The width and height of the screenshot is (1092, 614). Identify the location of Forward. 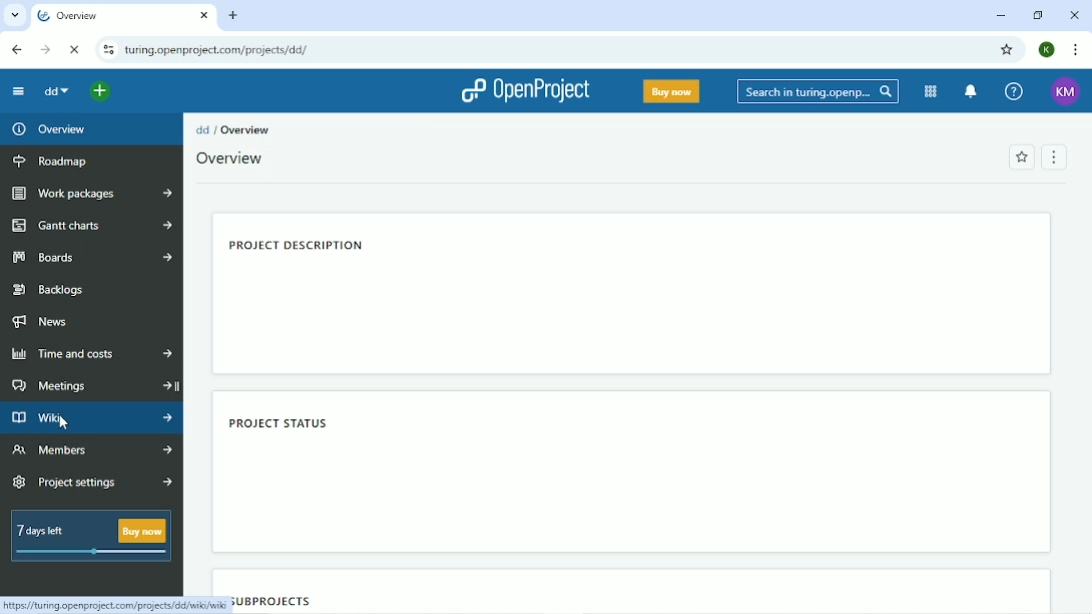
(46, 49).